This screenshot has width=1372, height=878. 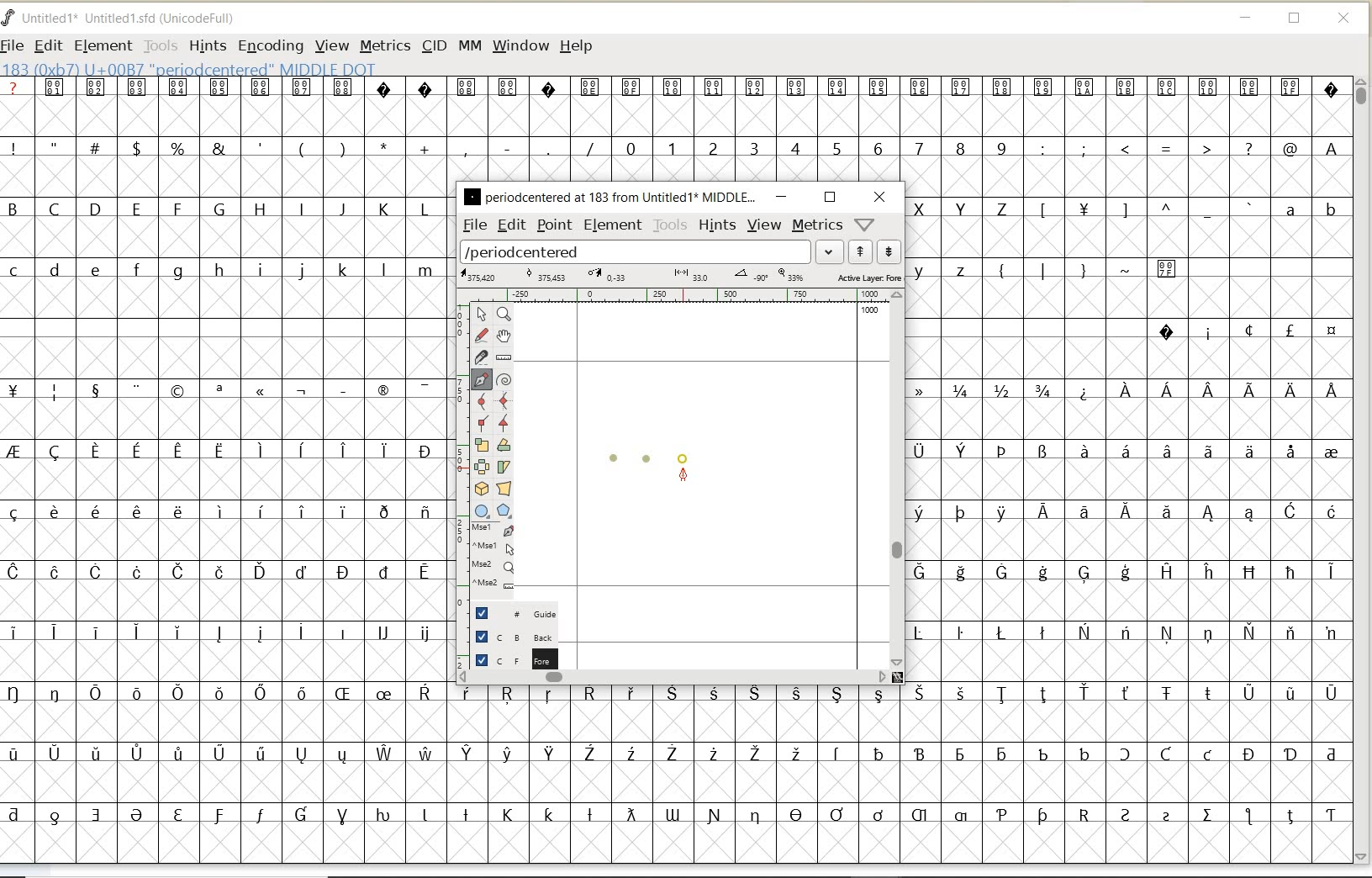 I want to click on edit, so click(x=510, y=225).